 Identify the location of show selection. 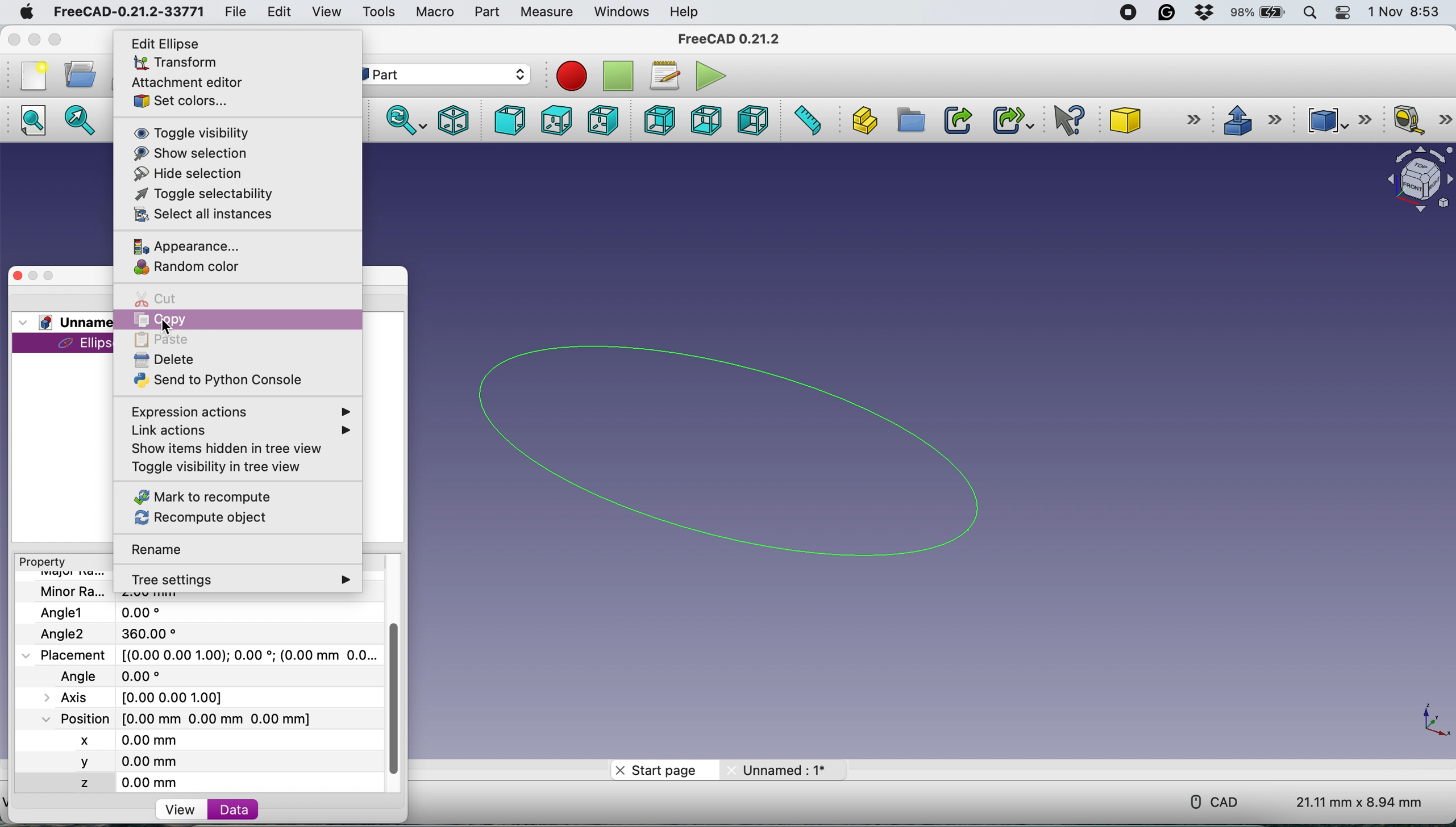
(190, 154).